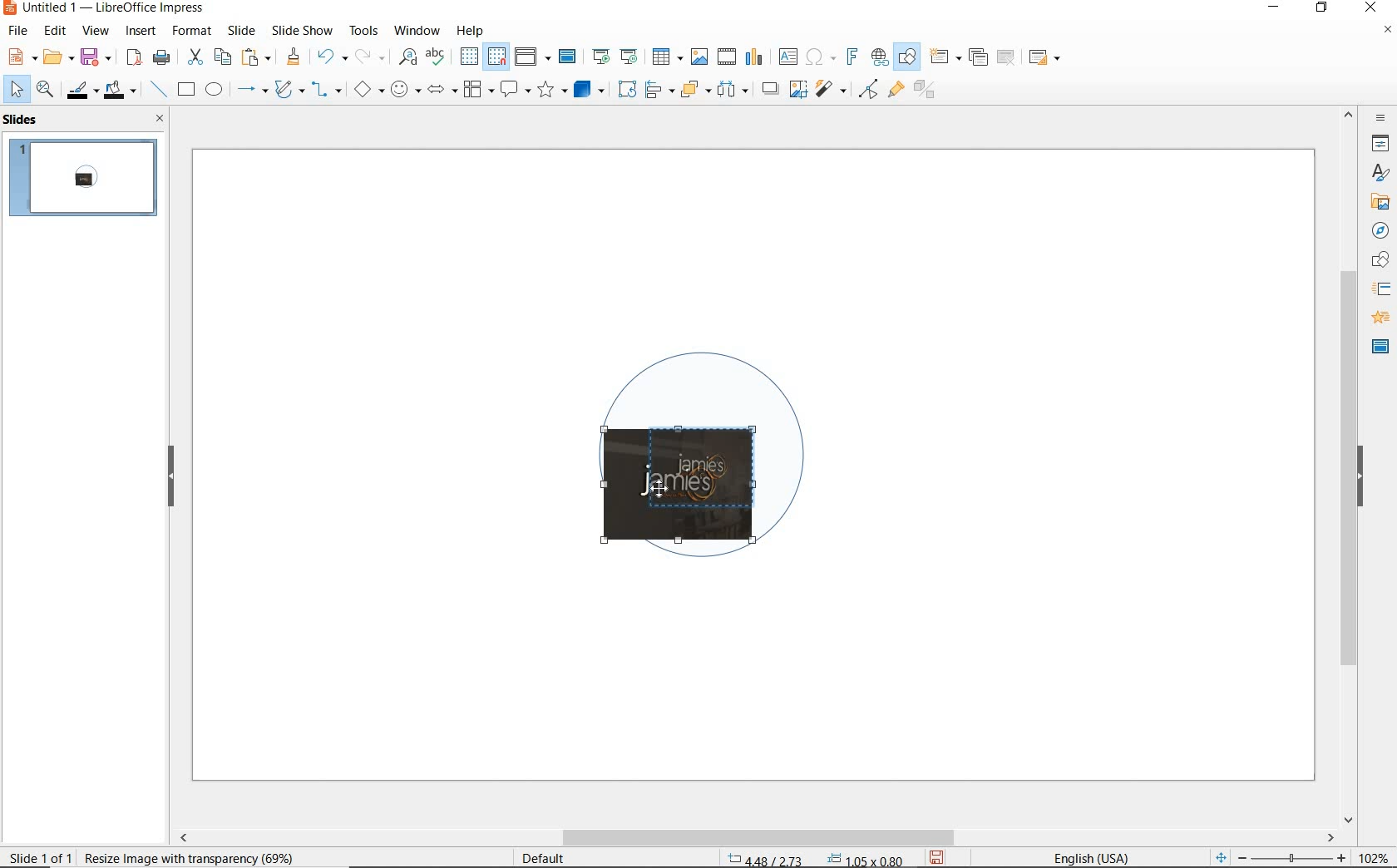  What do you see at coordinates (214, 91) in the screenshot?
I see `ellipse` at bounding box center [214, 91].